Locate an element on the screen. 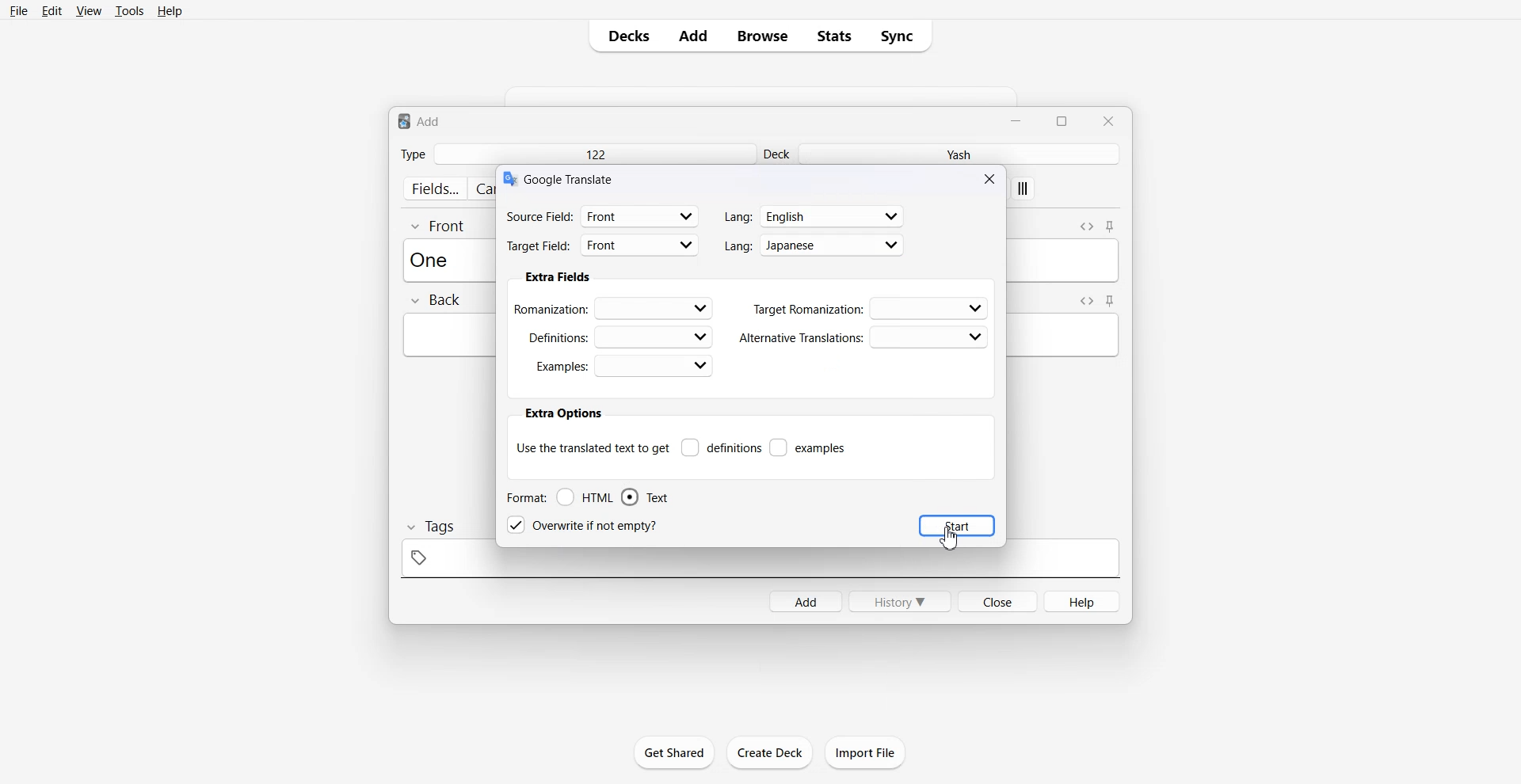 The width and height of the screenshot is (1521, 784). Toggle HTML Editor is located at coordinates (1086, 225).